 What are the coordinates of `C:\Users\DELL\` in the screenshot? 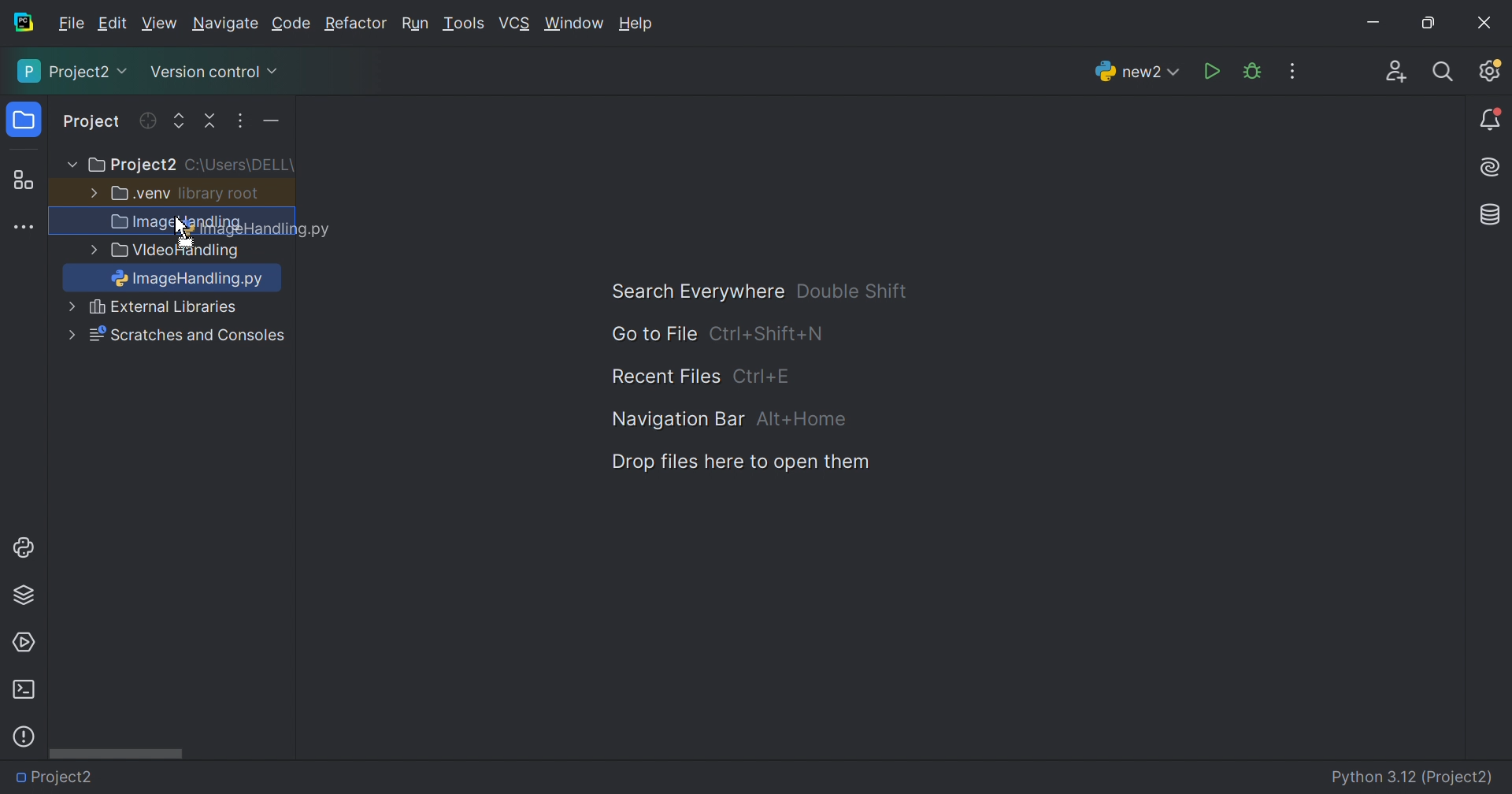 It's located at (239, 165).